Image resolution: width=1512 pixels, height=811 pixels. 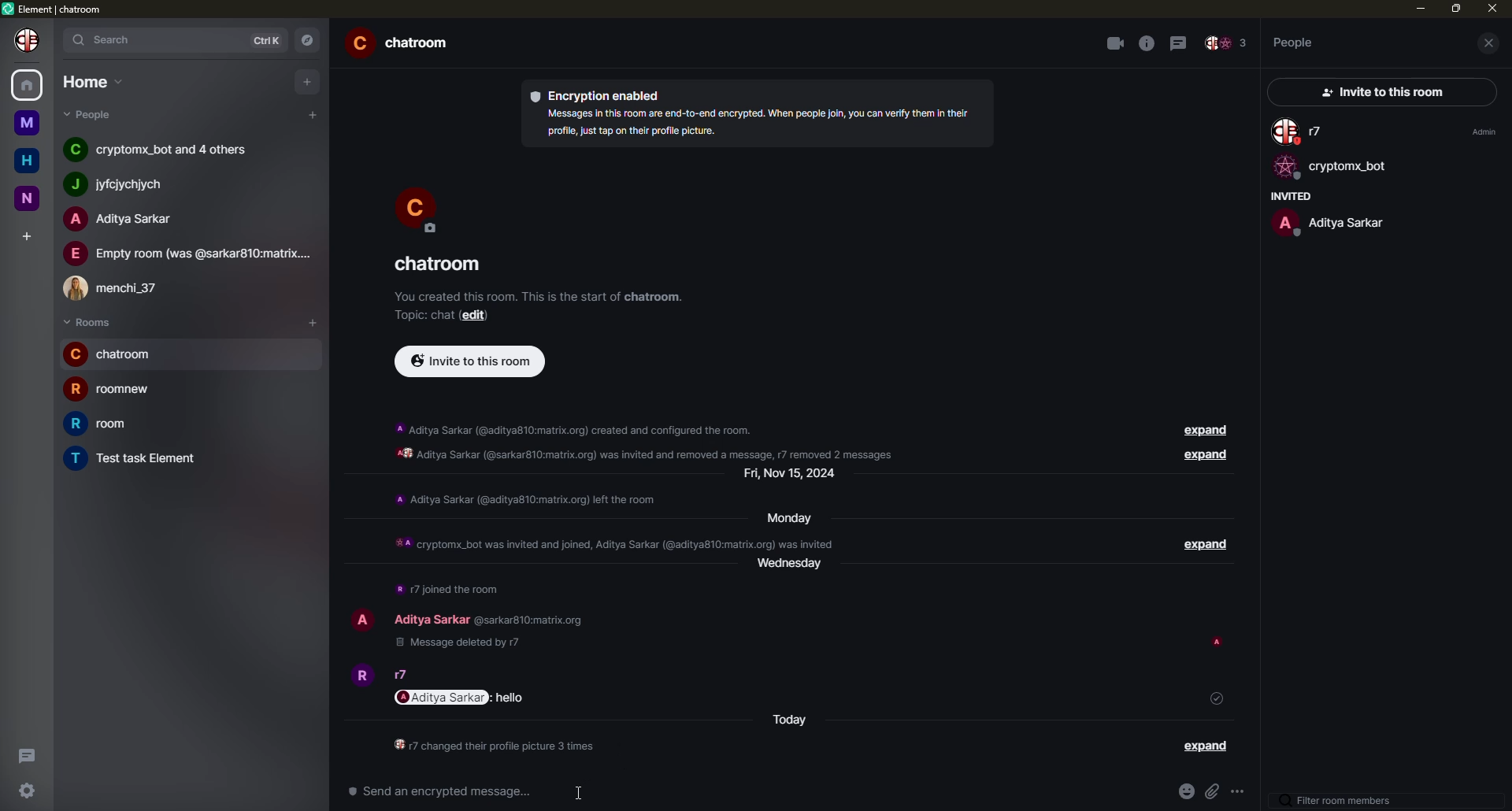 What do you see at coordinates (57, 10) in the screenshot?
I see `element` at bounding box center [57, 10].